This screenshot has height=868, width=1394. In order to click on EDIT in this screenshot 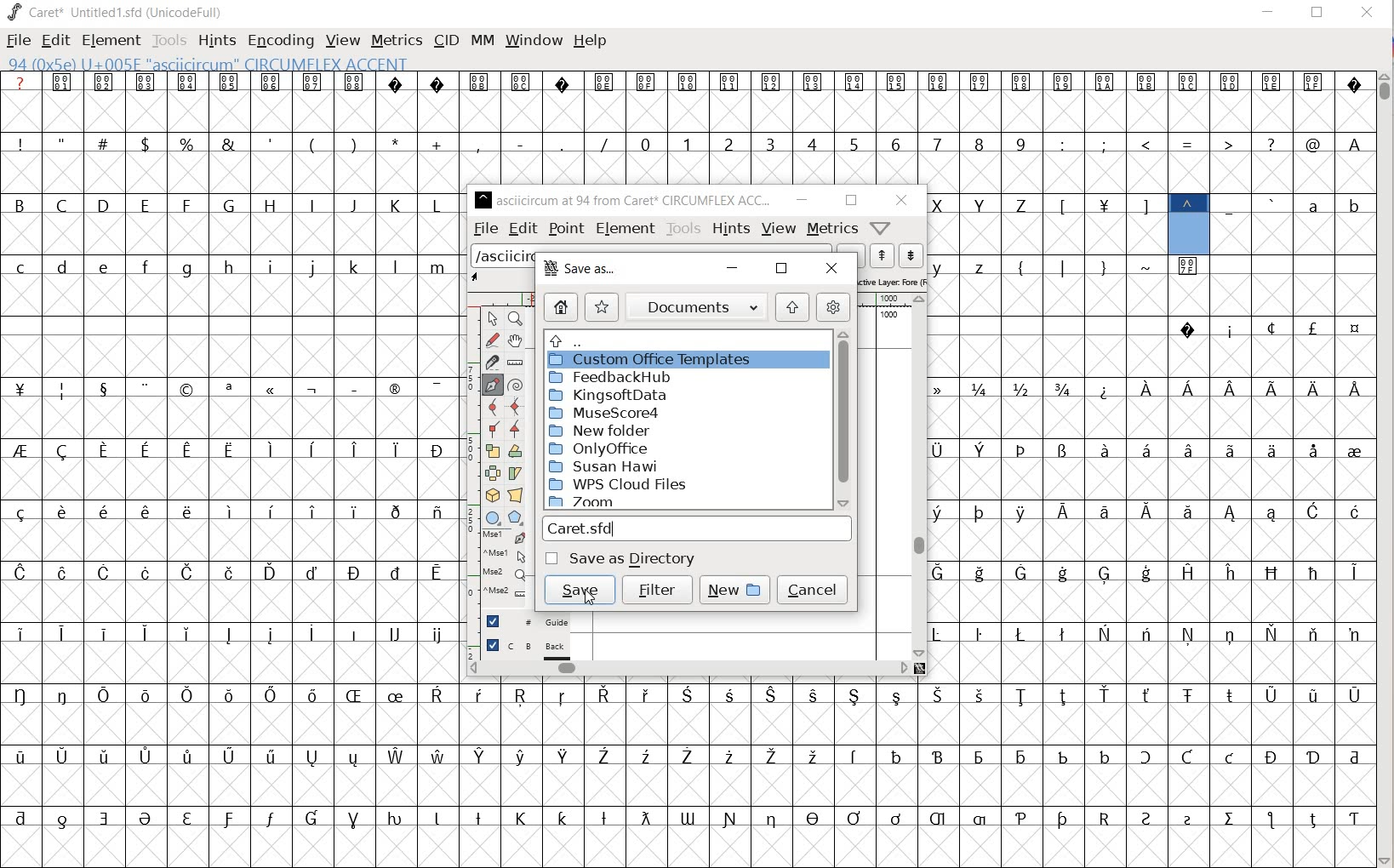, I will do `click(57, 41)`.